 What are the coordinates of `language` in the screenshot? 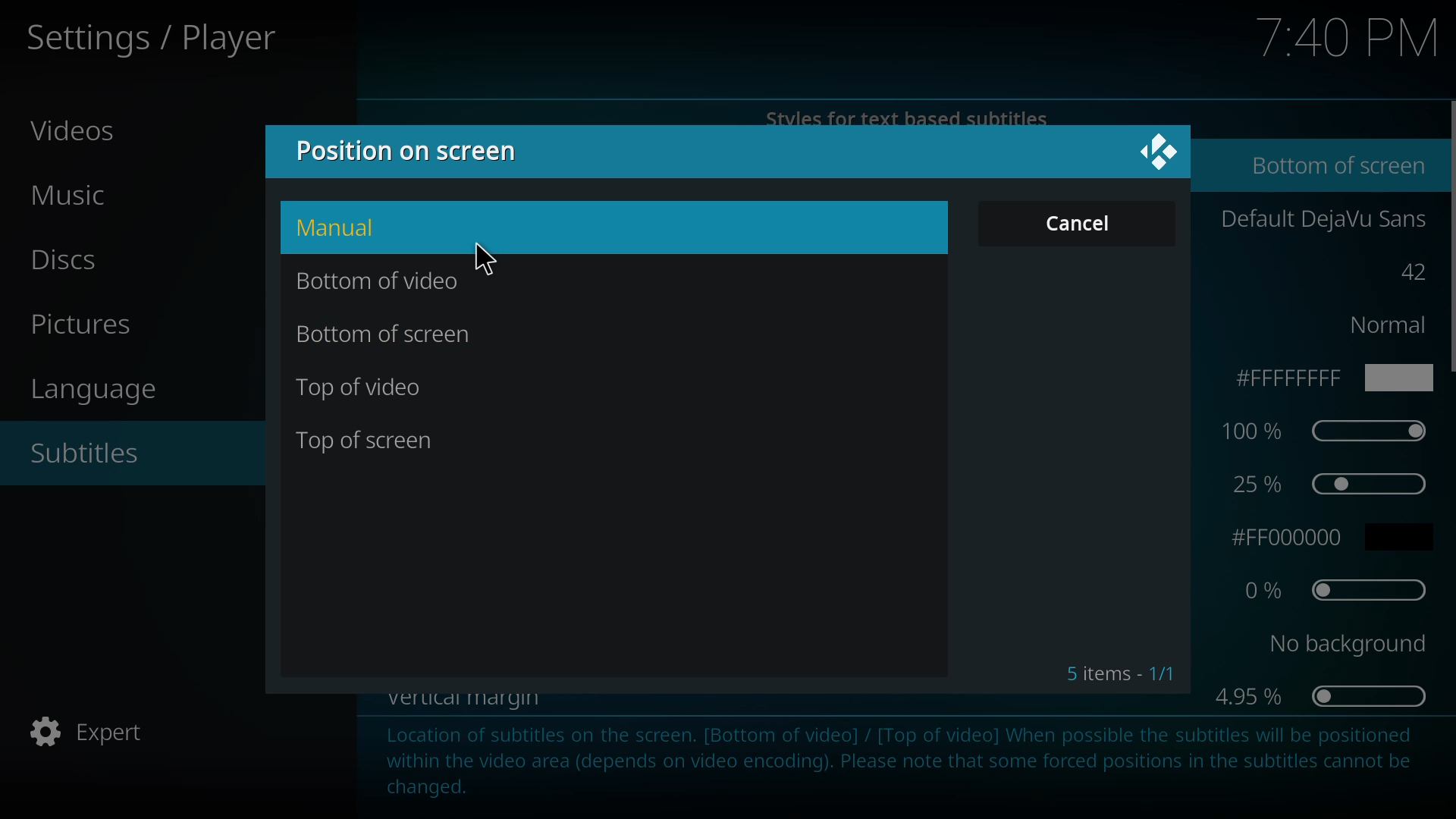 It's located at (94, 391).